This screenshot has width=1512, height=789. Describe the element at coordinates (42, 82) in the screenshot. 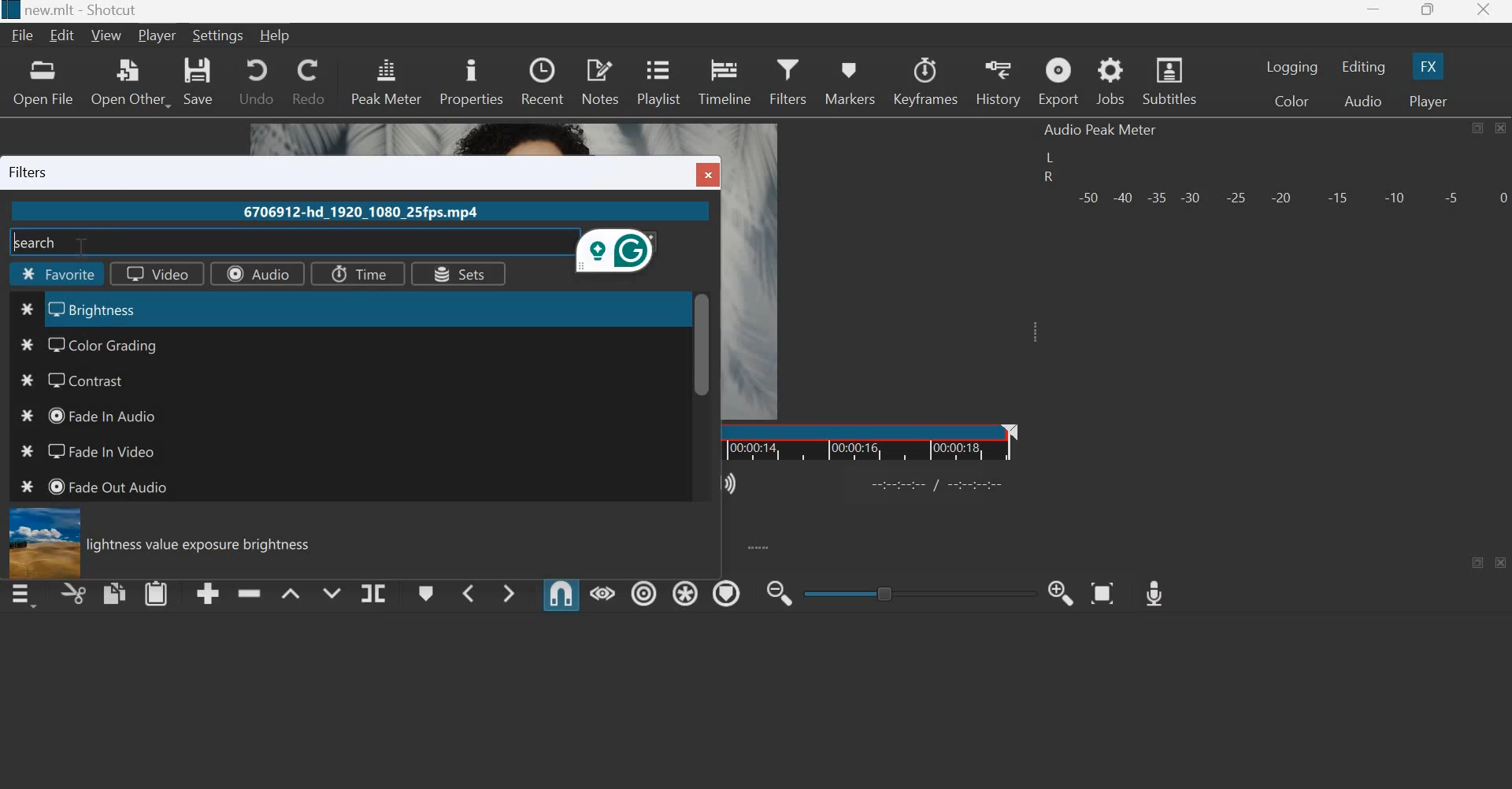

I see `open file` at that location.